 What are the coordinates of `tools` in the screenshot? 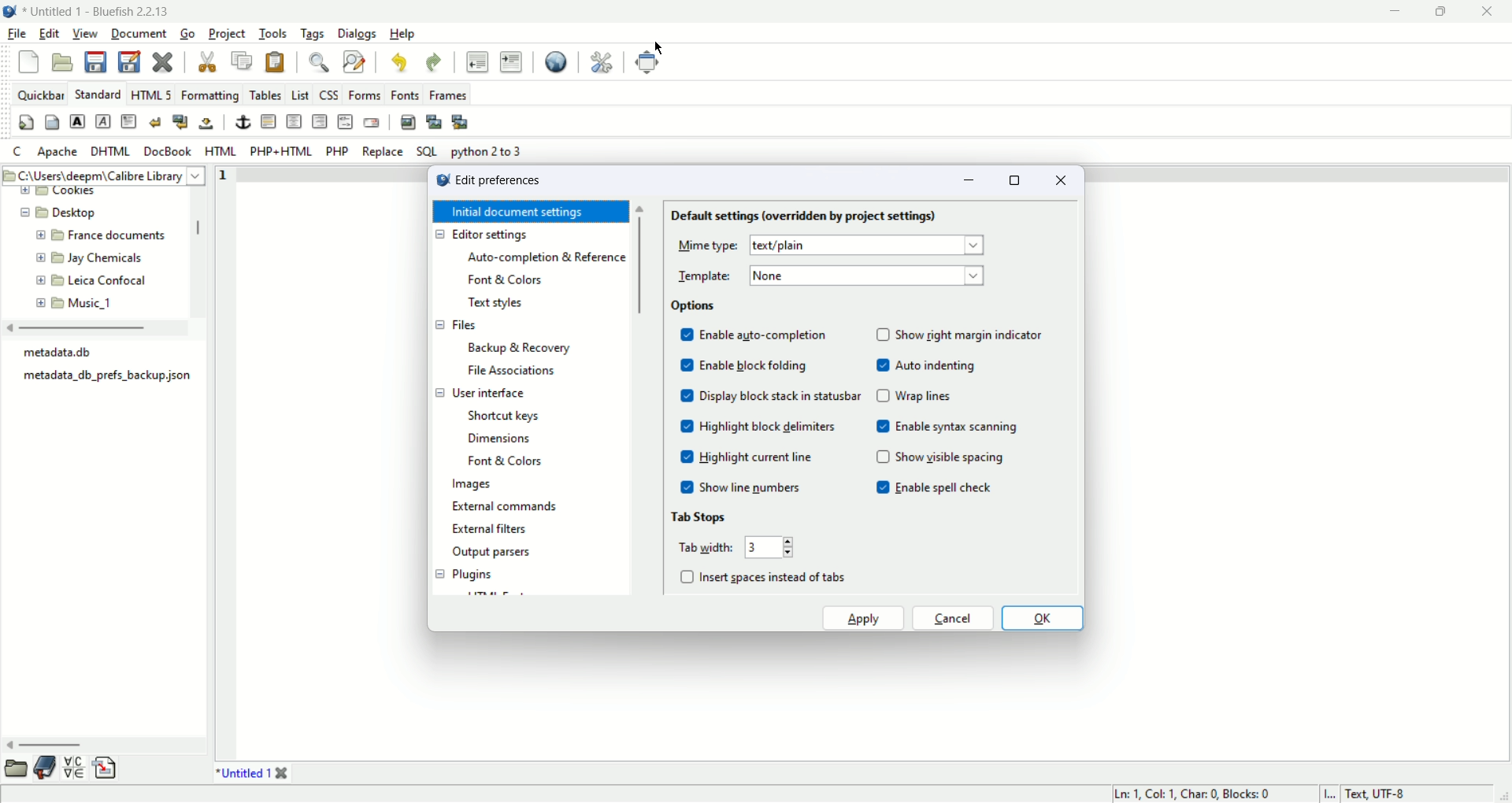 It's located at (273, 34).